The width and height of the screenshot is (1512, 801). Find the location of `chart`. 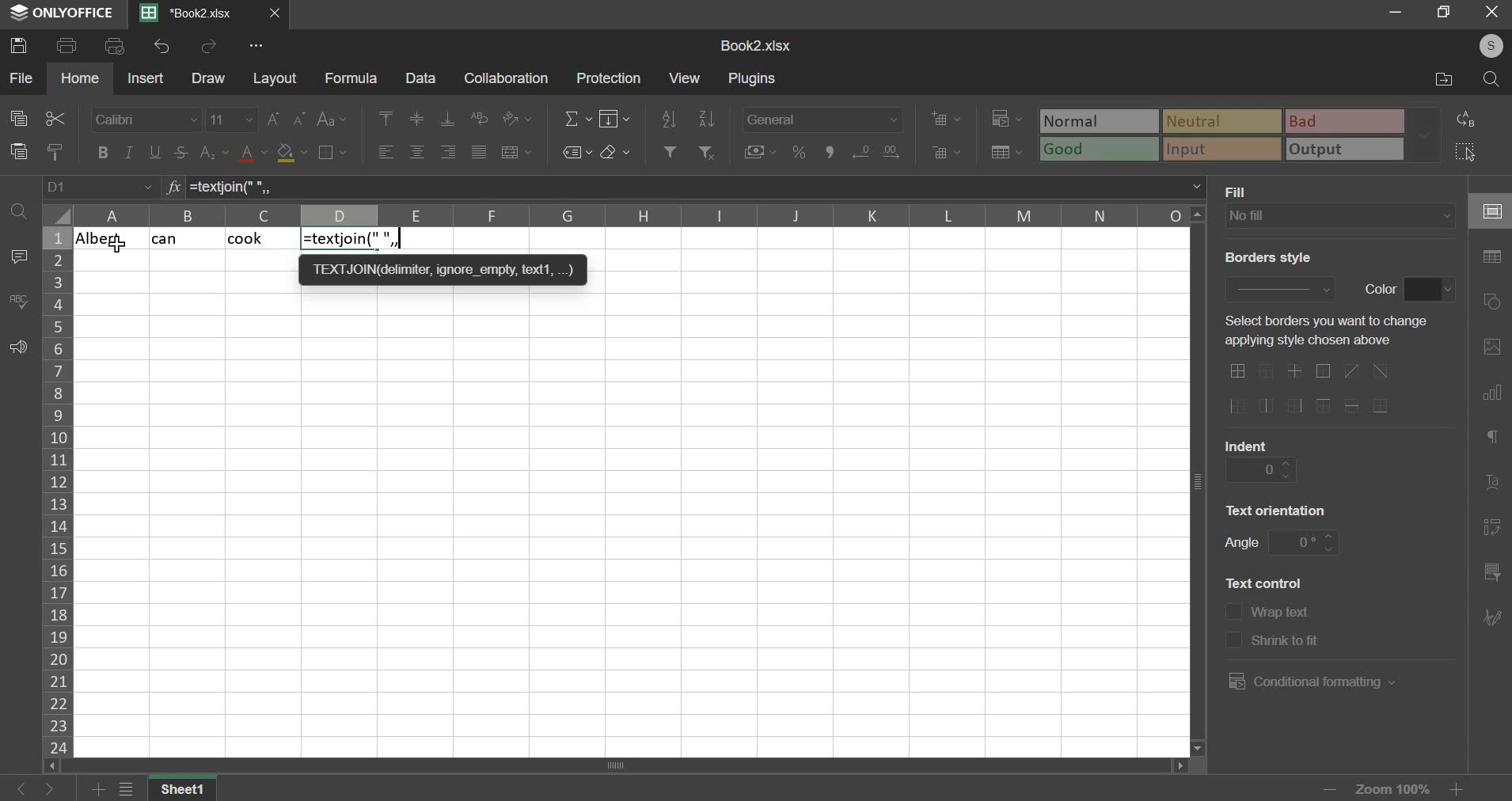

chart is located at coordinates (1491, 396).